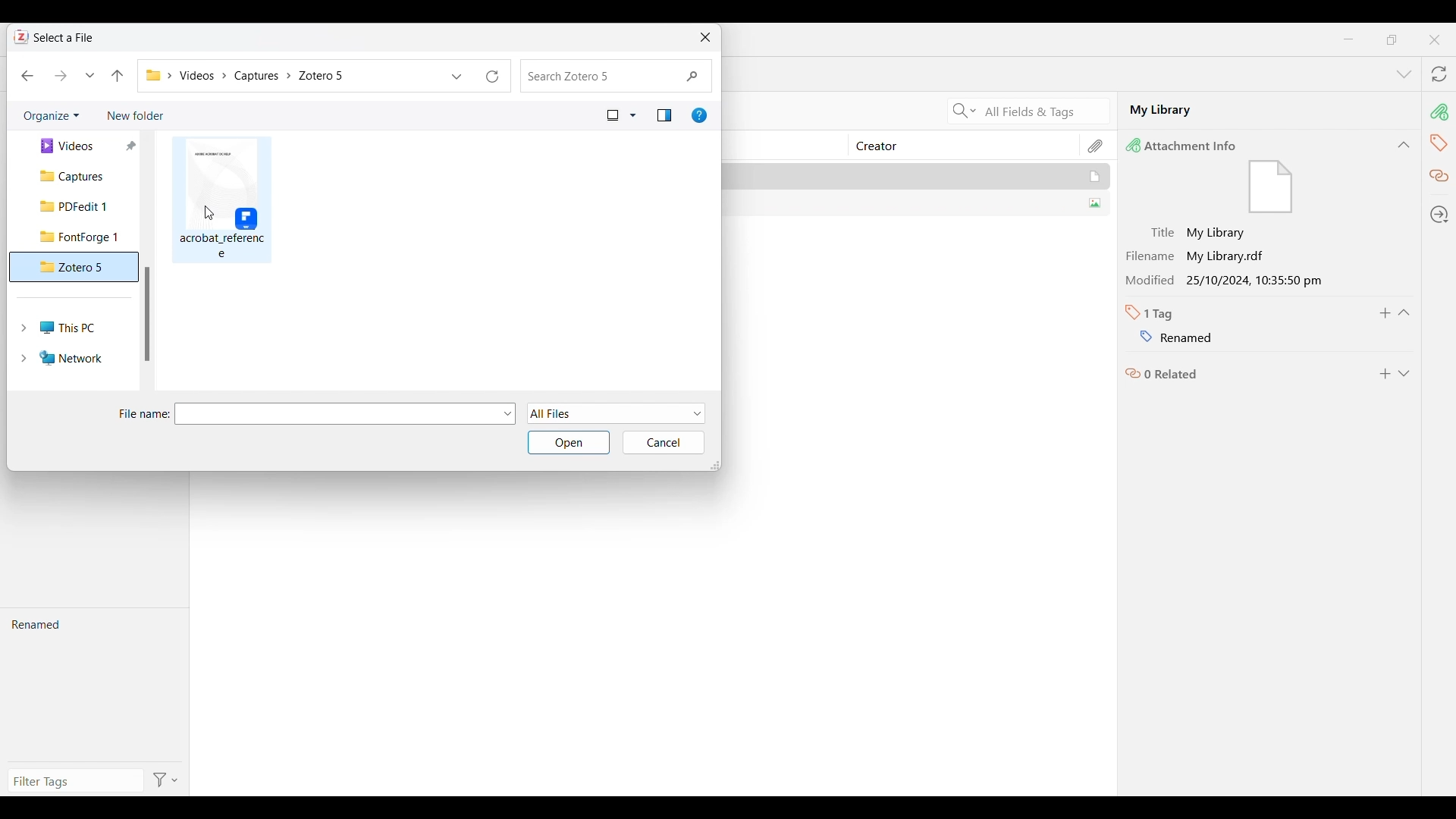  What do you see at coordinates (1097, 145) in the screenshot?
I see `Attachment` at bounding box center [1097, 145].